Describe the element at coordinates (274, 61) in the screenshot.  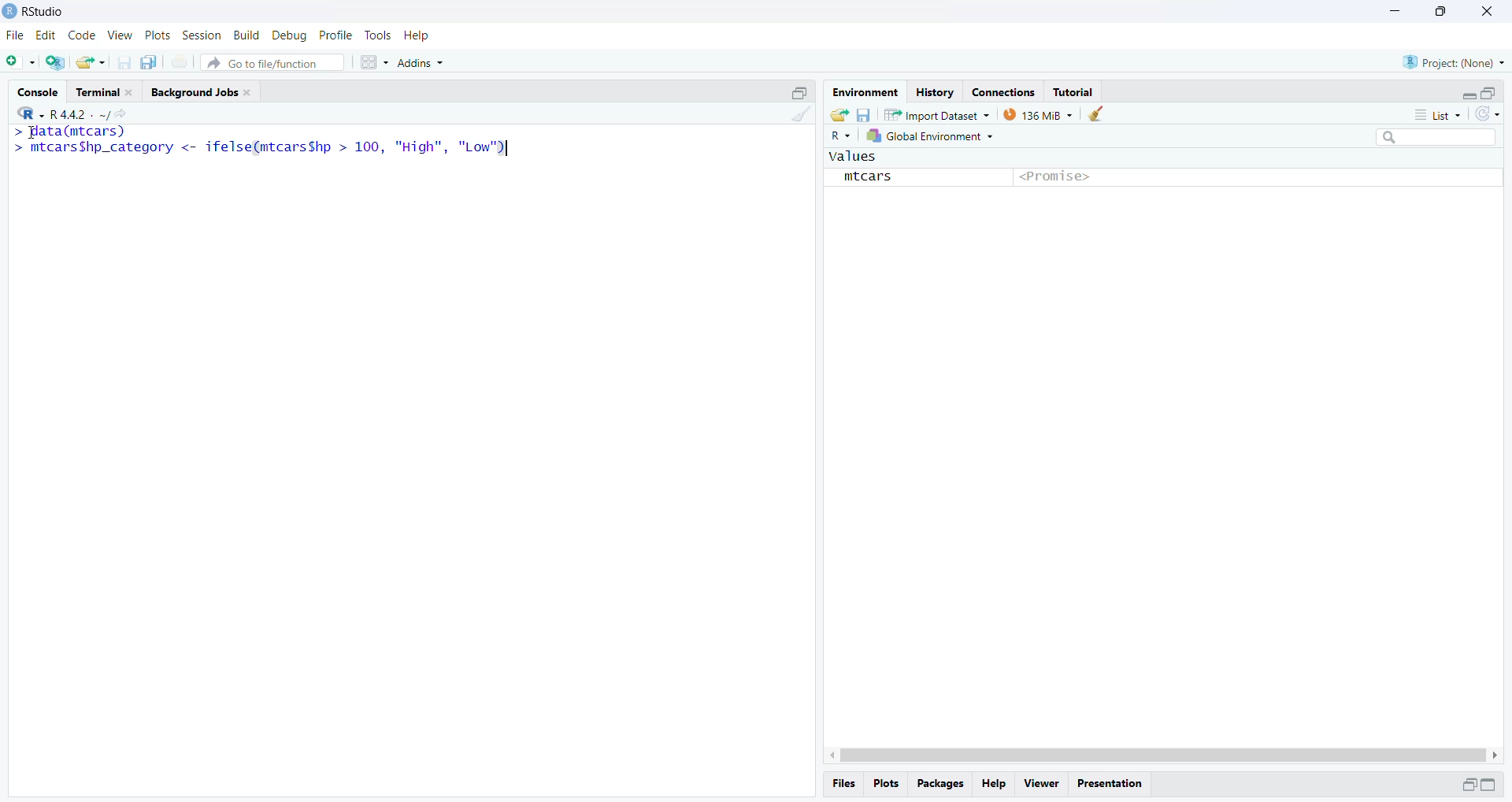
I see `Go to file/function` at that location.